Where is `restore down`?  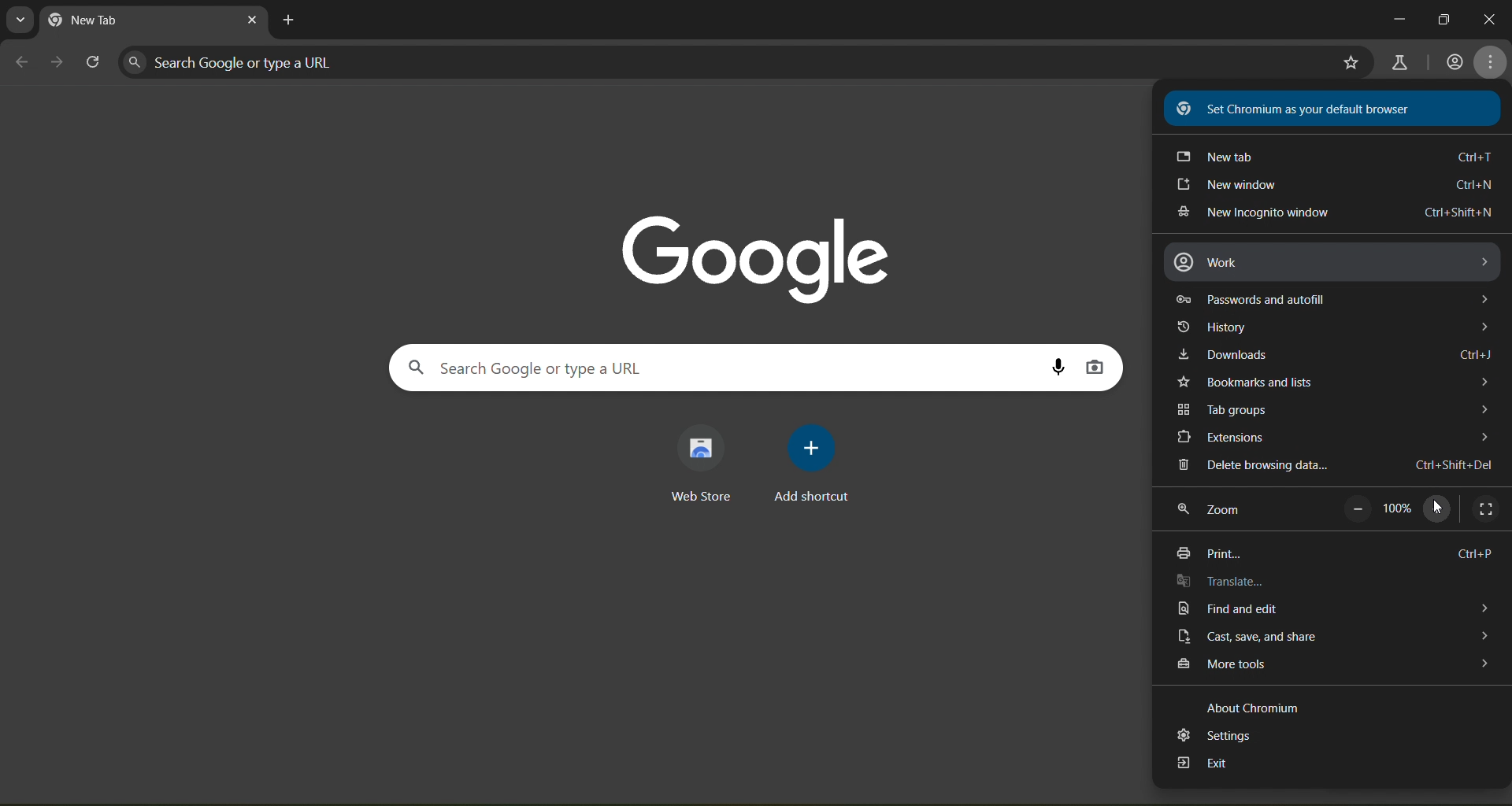
restore down is located at coordinates (1445, 17).